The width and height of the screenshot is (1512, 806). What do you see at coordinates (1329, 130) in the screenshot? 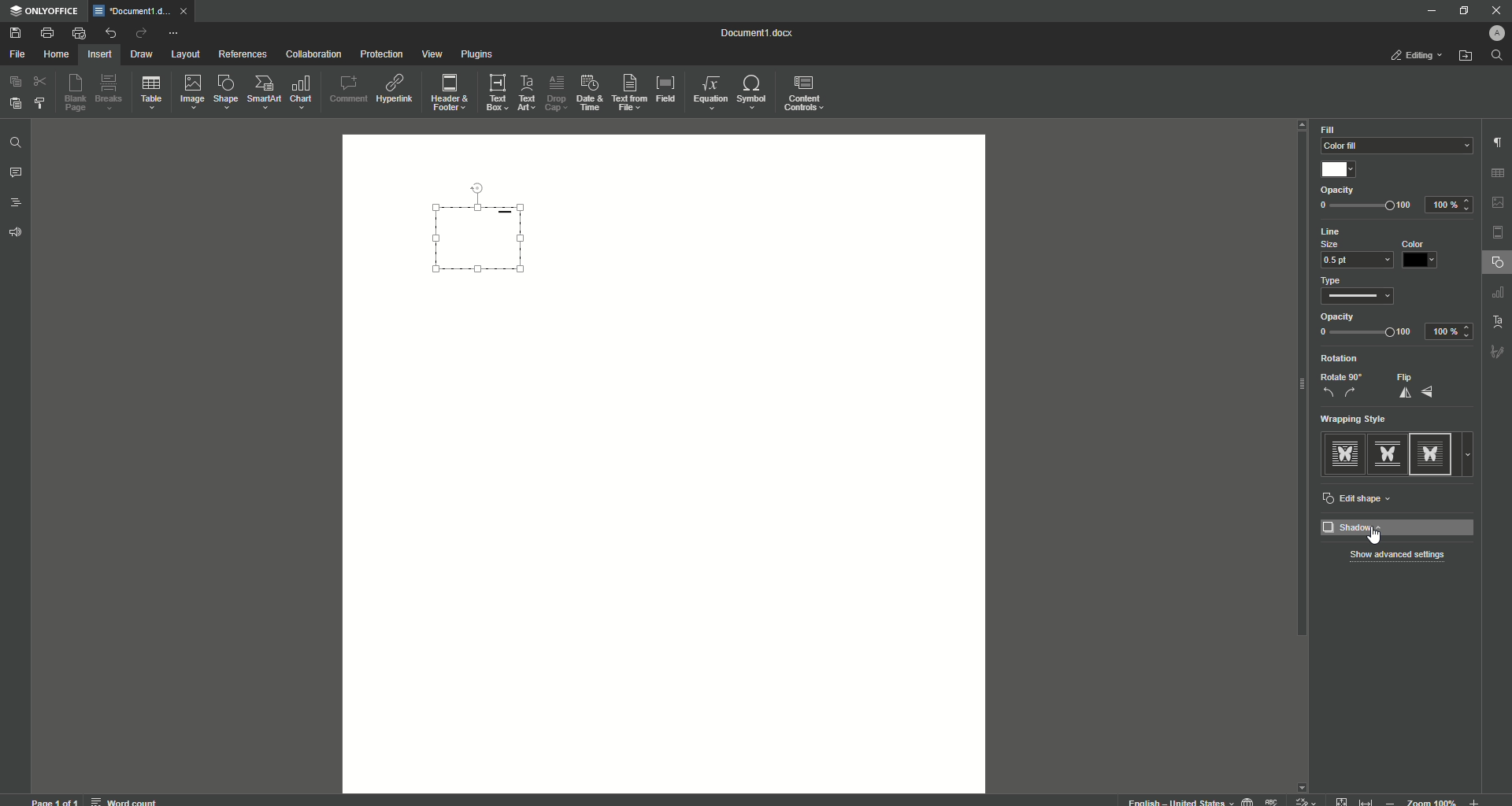
I see `Fill` at bounding box center [1329, 130].